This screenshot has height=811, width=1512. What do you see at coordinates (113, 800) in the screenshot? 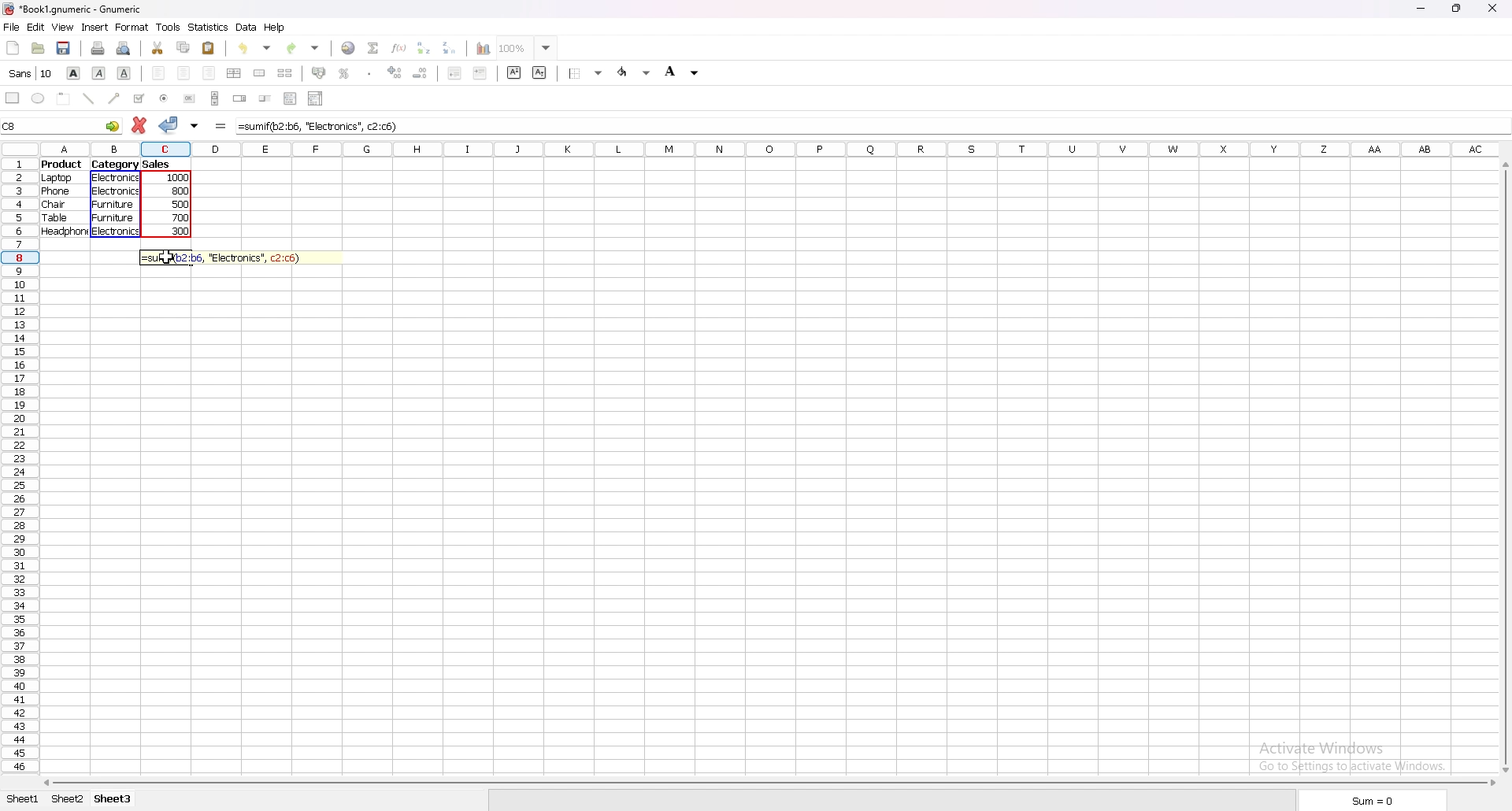
I see `sheet 3` at bounding box center [113, 800].